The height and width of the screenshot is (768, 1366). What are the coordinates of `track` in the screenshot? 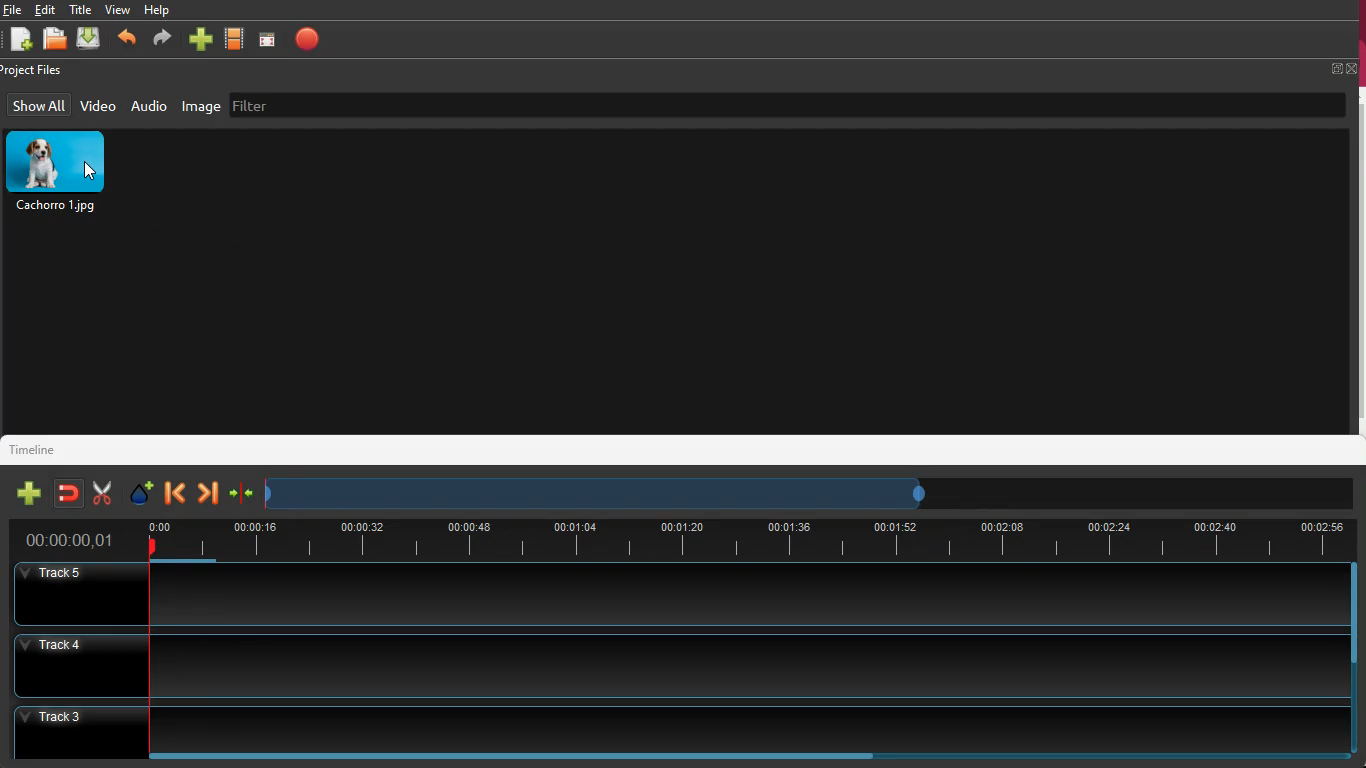 It's located at (675, 726).